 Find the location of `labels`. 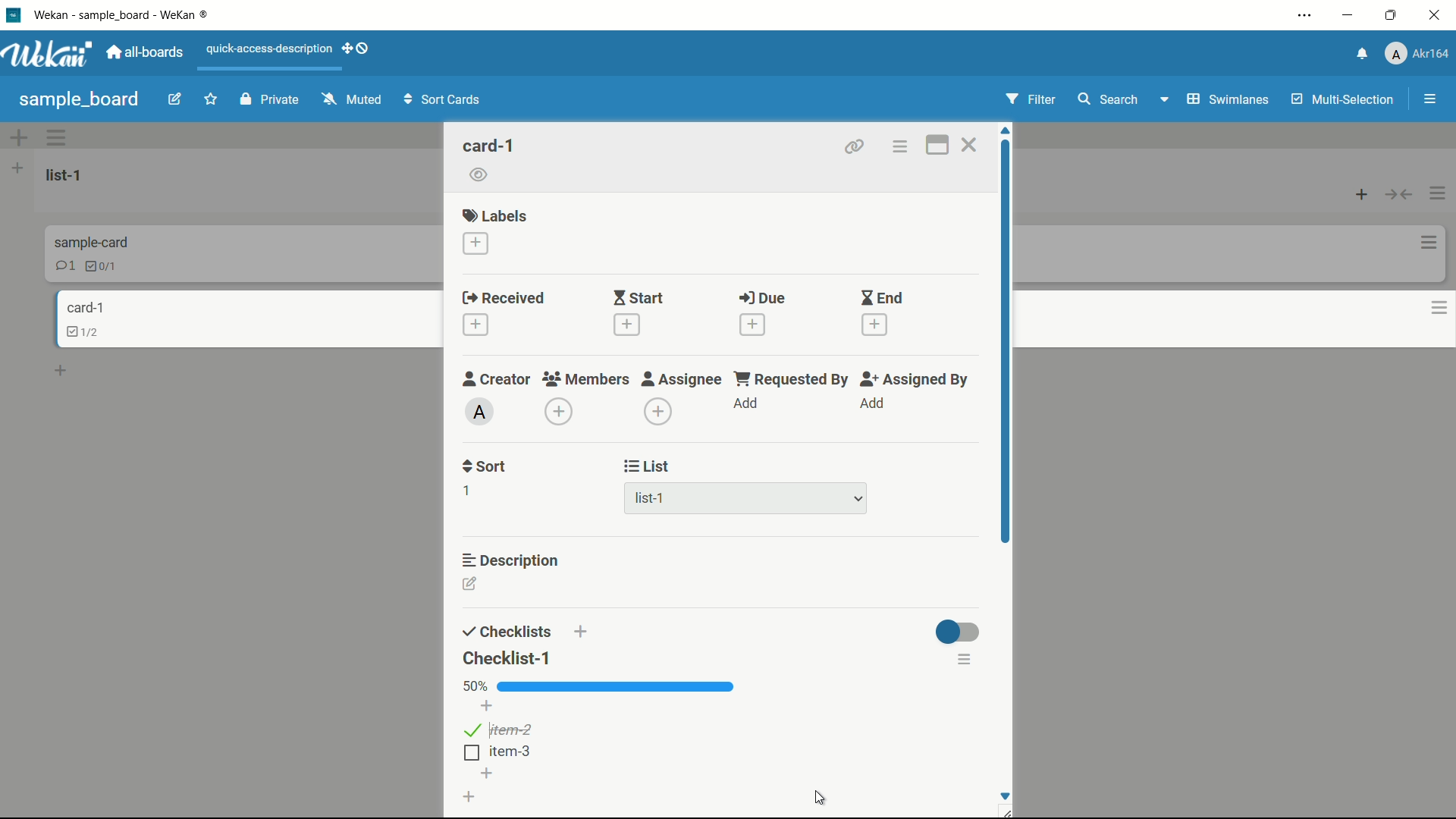

labels is located at coordinates (494, 215).